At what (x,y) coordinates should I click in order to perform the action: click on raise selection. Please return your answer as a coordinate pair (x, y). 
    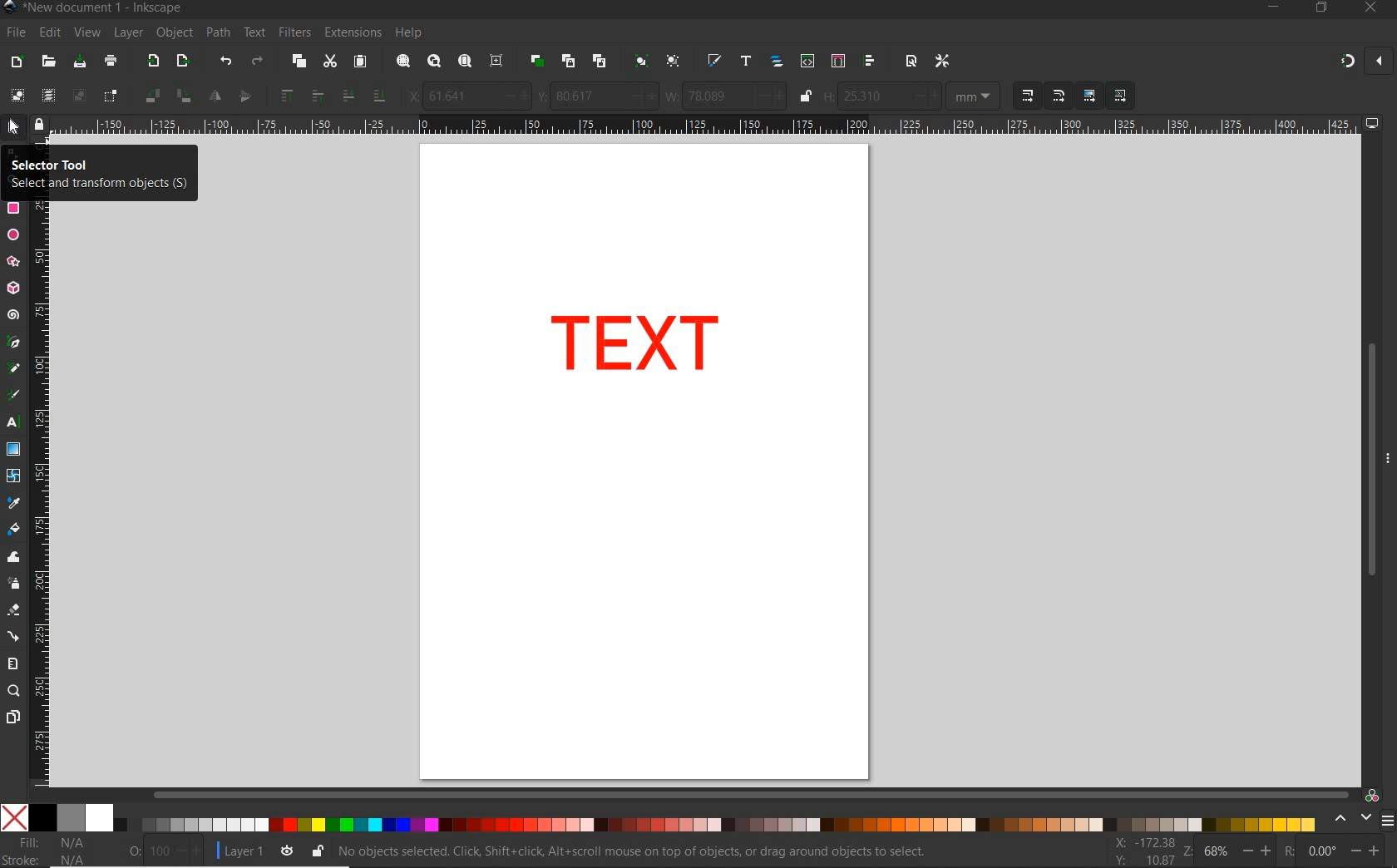
    Looking at the image, I should click on (299, 96).